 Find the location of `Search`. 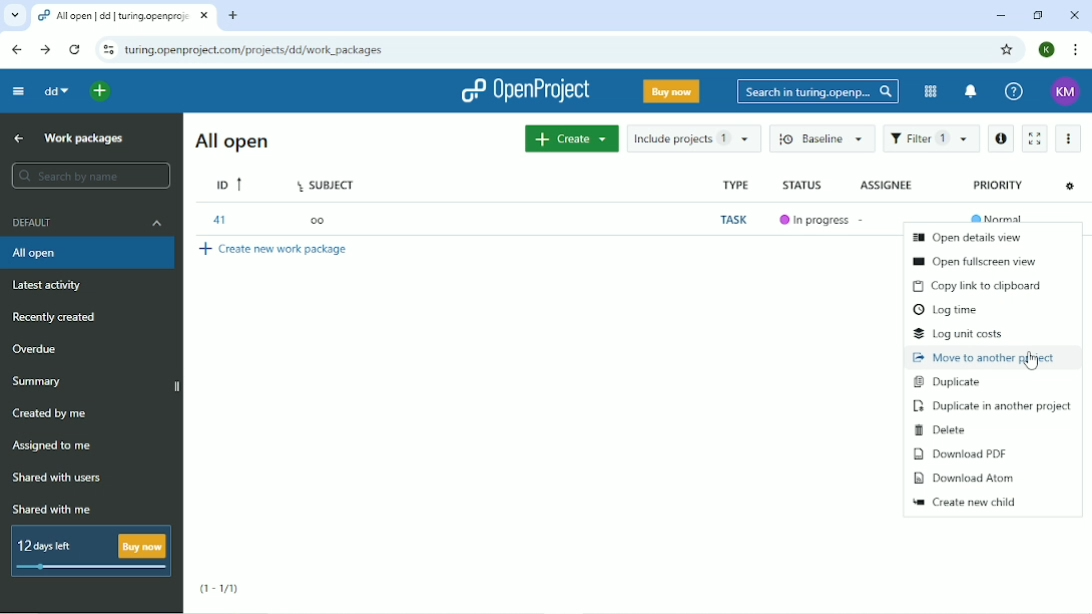

Search is located at coordinates (818, 92).